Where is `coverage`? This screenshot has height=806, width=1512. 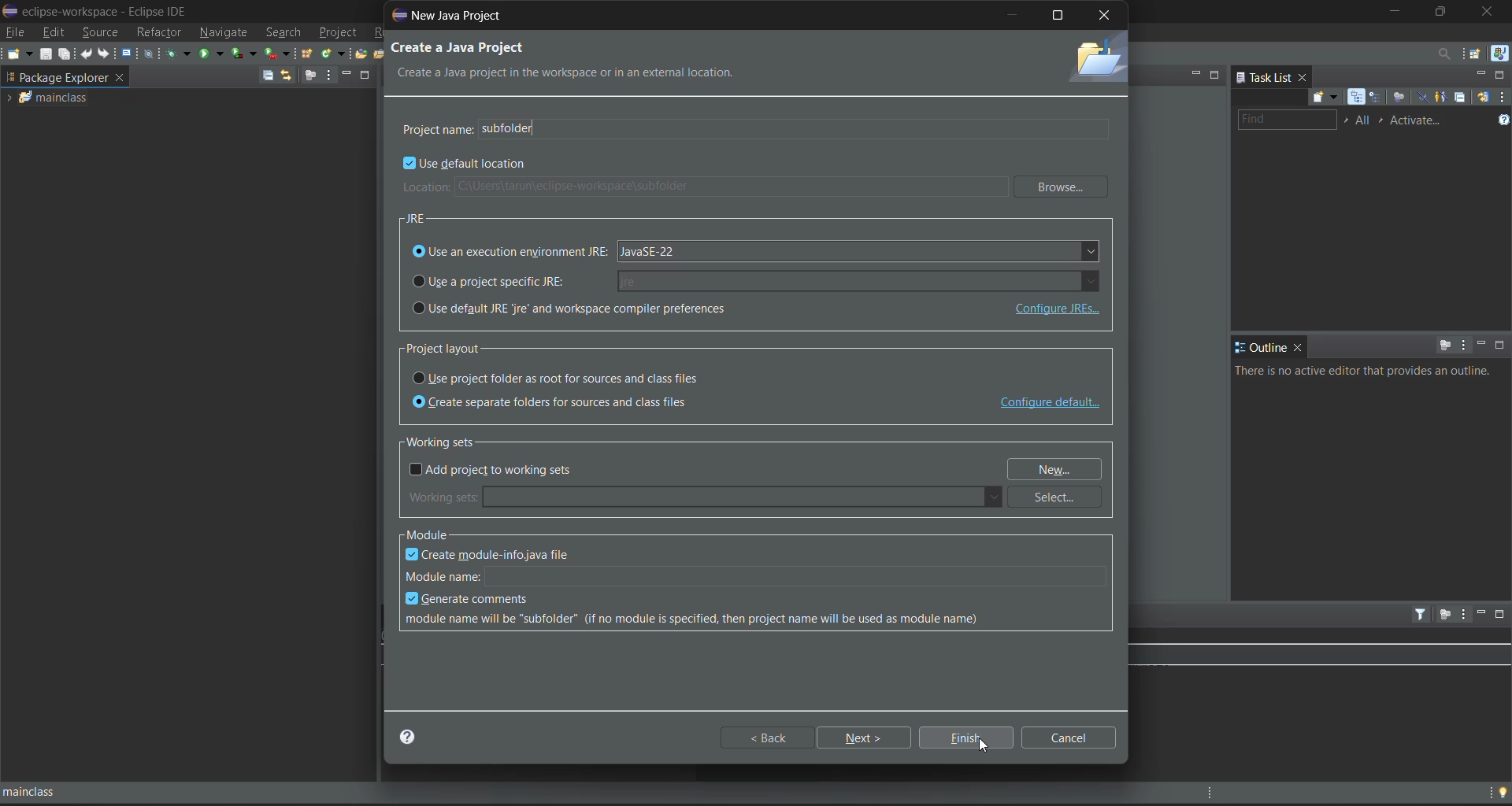 coverage is located at coordinates (243, 52).